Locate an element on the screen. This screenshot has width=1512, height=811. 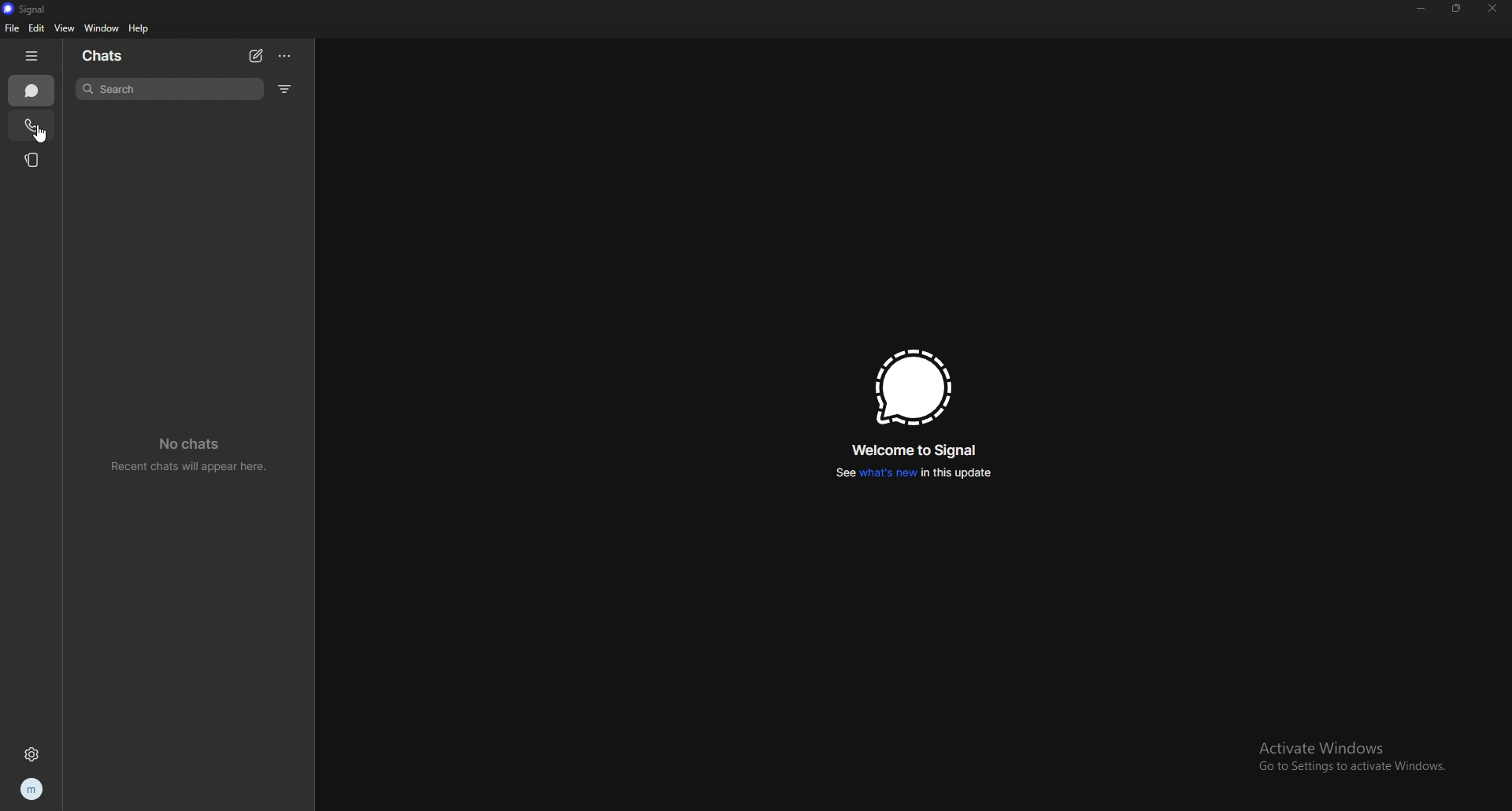
help is located at coordinates (139, 28).